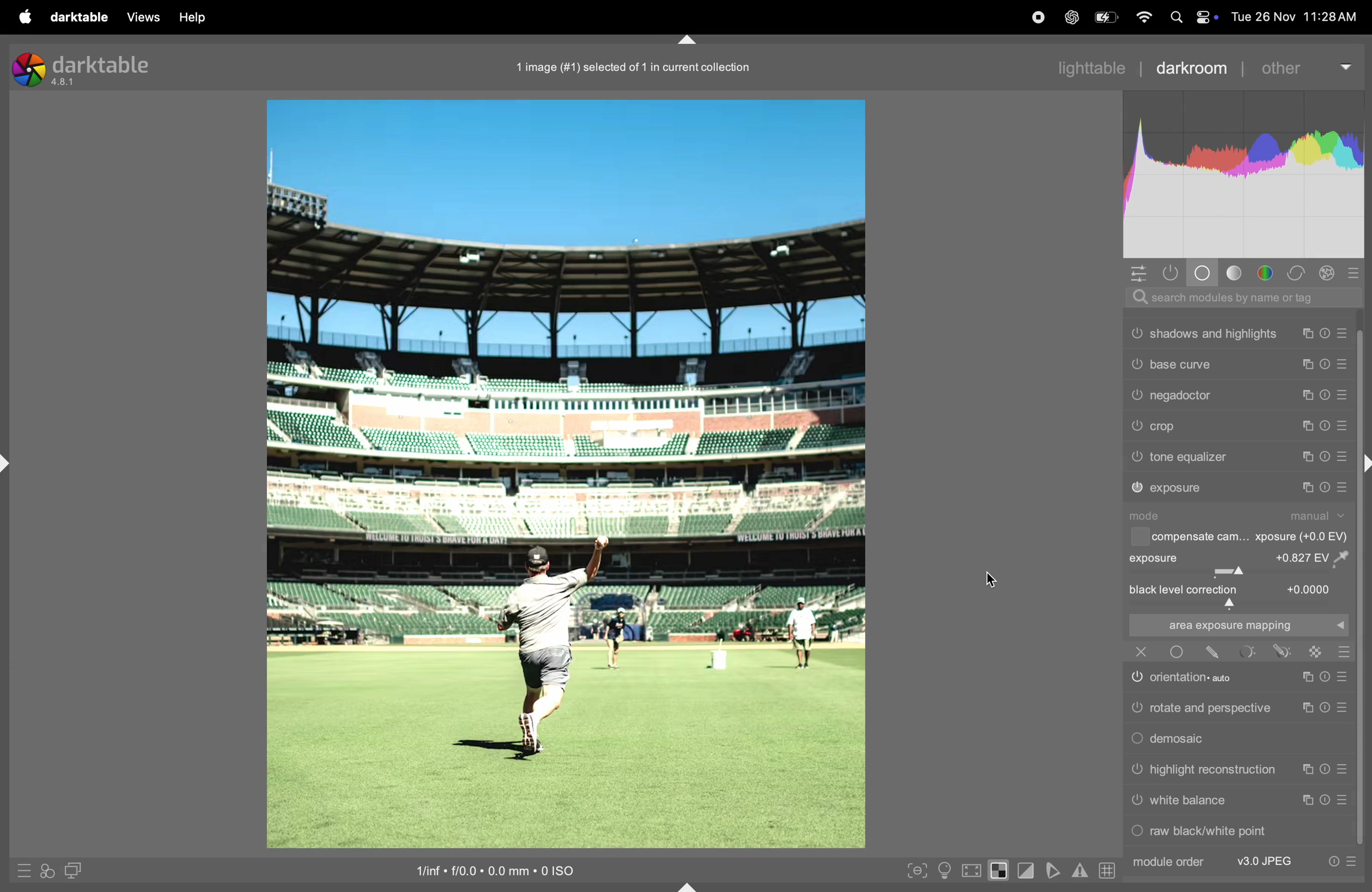 This screenshot has height=892, width=1372. Describe the element at coordinates (21, 870) in the screenshot. I see `quick acess to presets` at that location.